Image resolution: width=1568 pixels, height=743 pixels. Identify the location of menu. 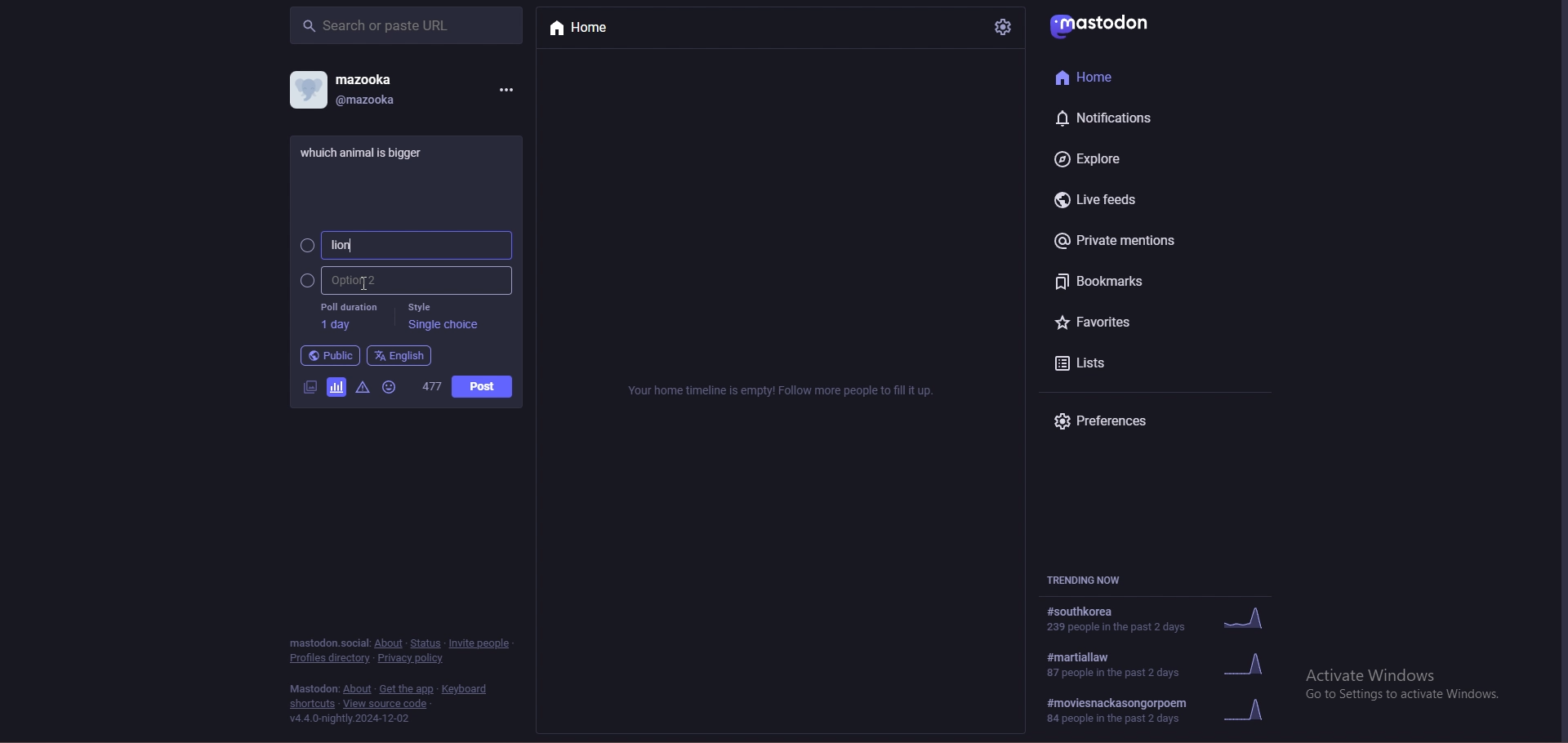
(506, 88).